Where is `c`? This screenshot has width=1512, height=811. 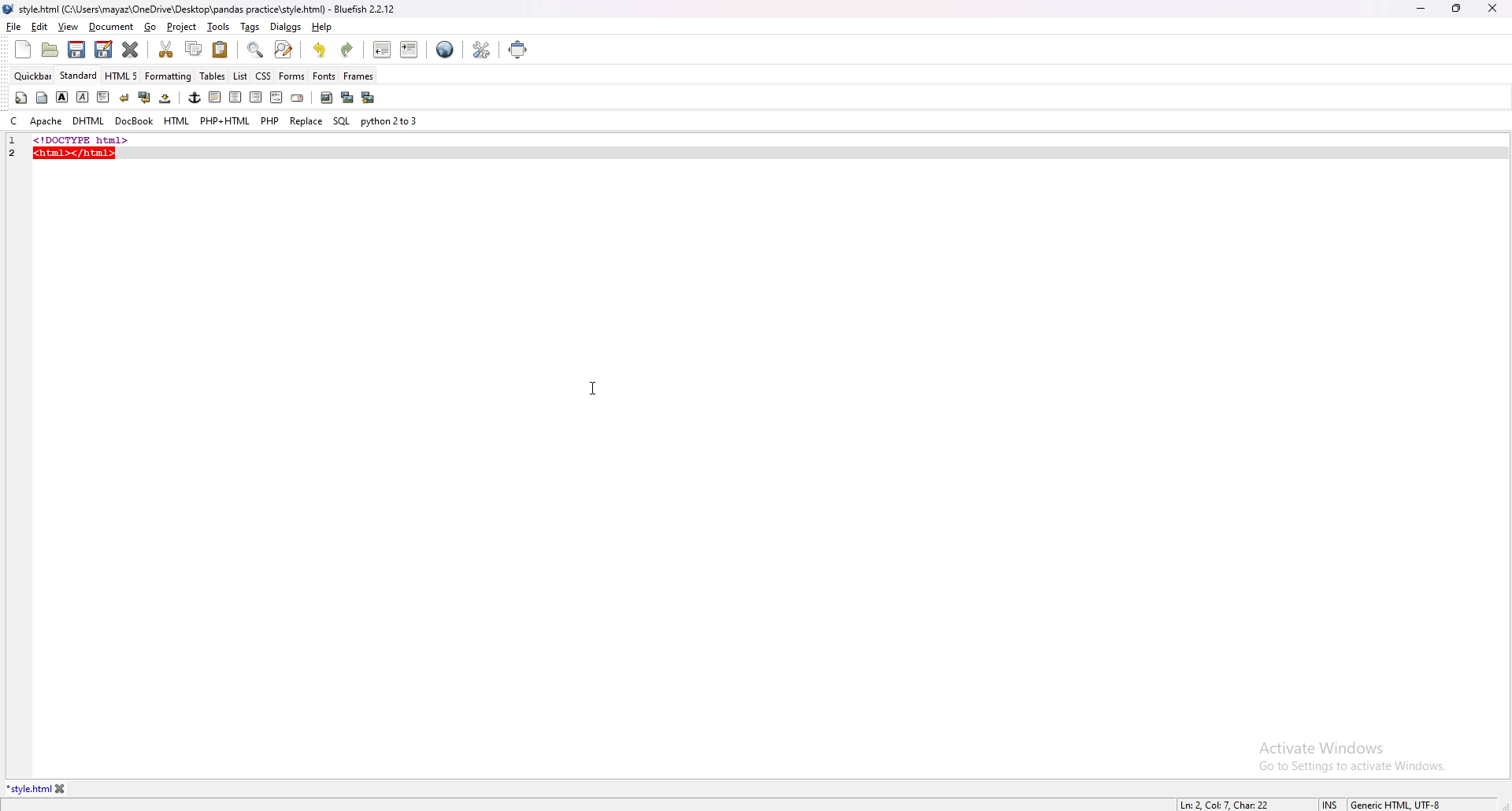 c is located at coordinates (13, 121).